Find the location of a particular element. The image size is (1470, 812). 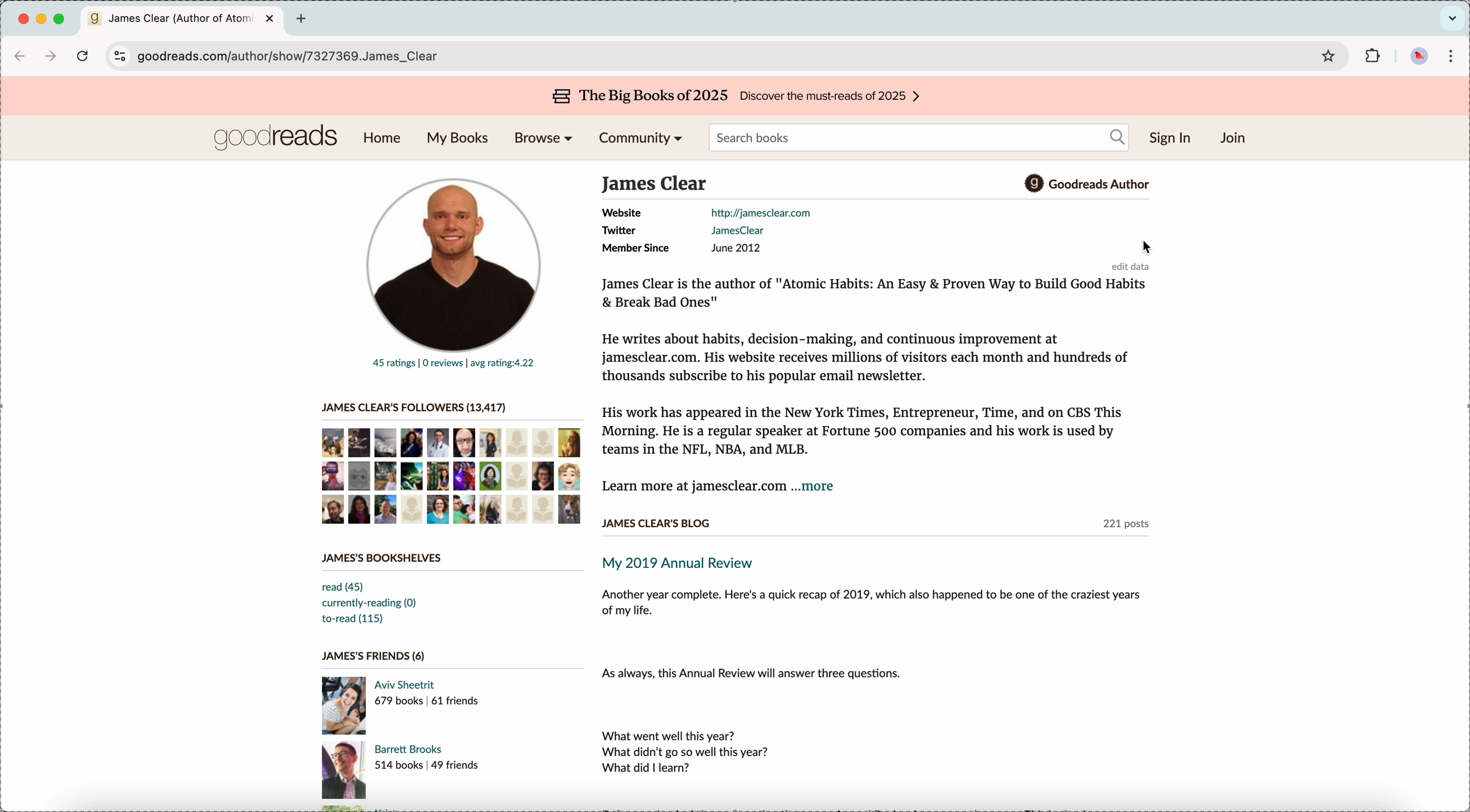

favorites is located at coordinates (1328, 55).